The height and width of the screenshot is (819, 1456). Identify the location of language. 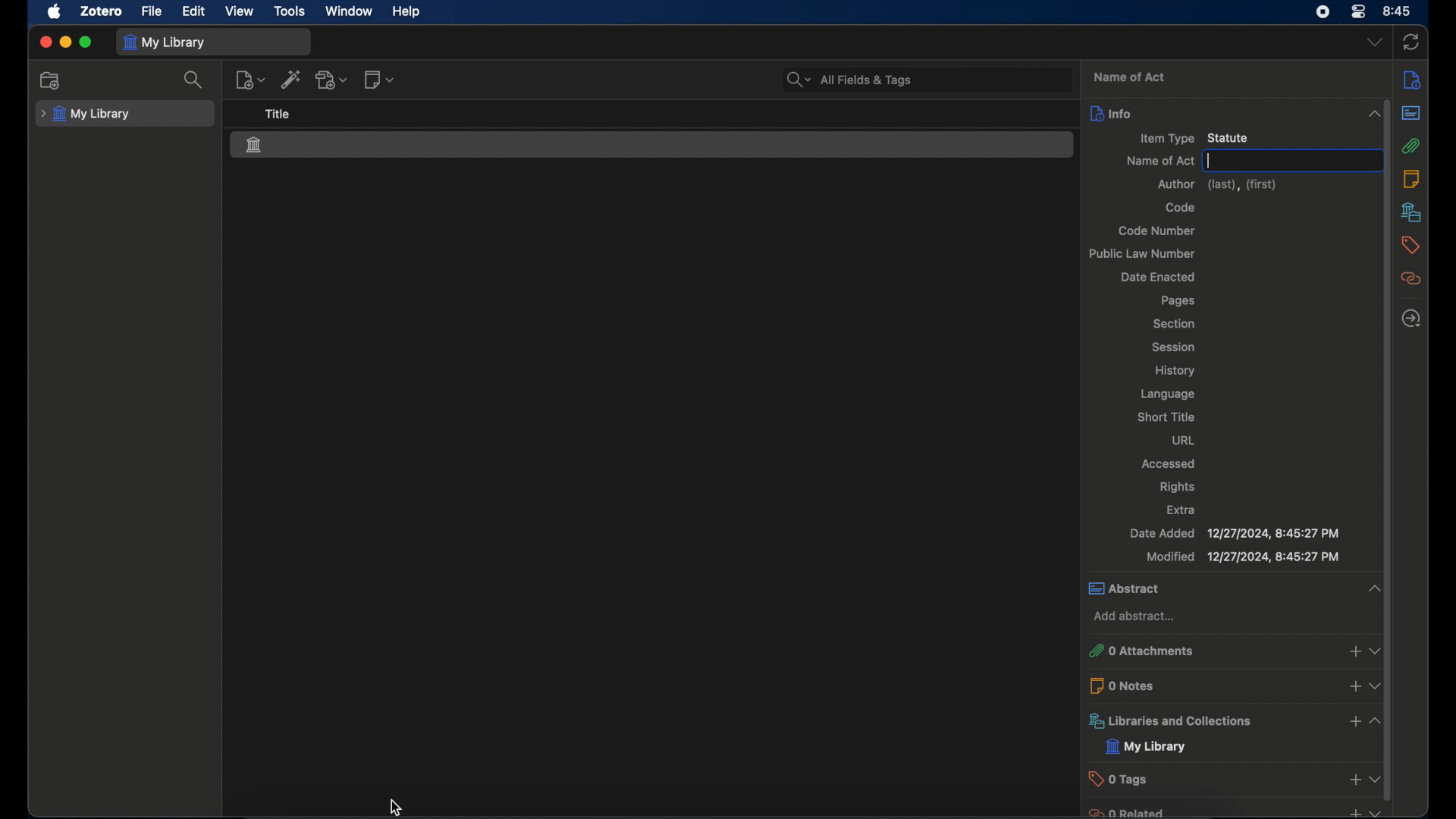
(1168, 394).